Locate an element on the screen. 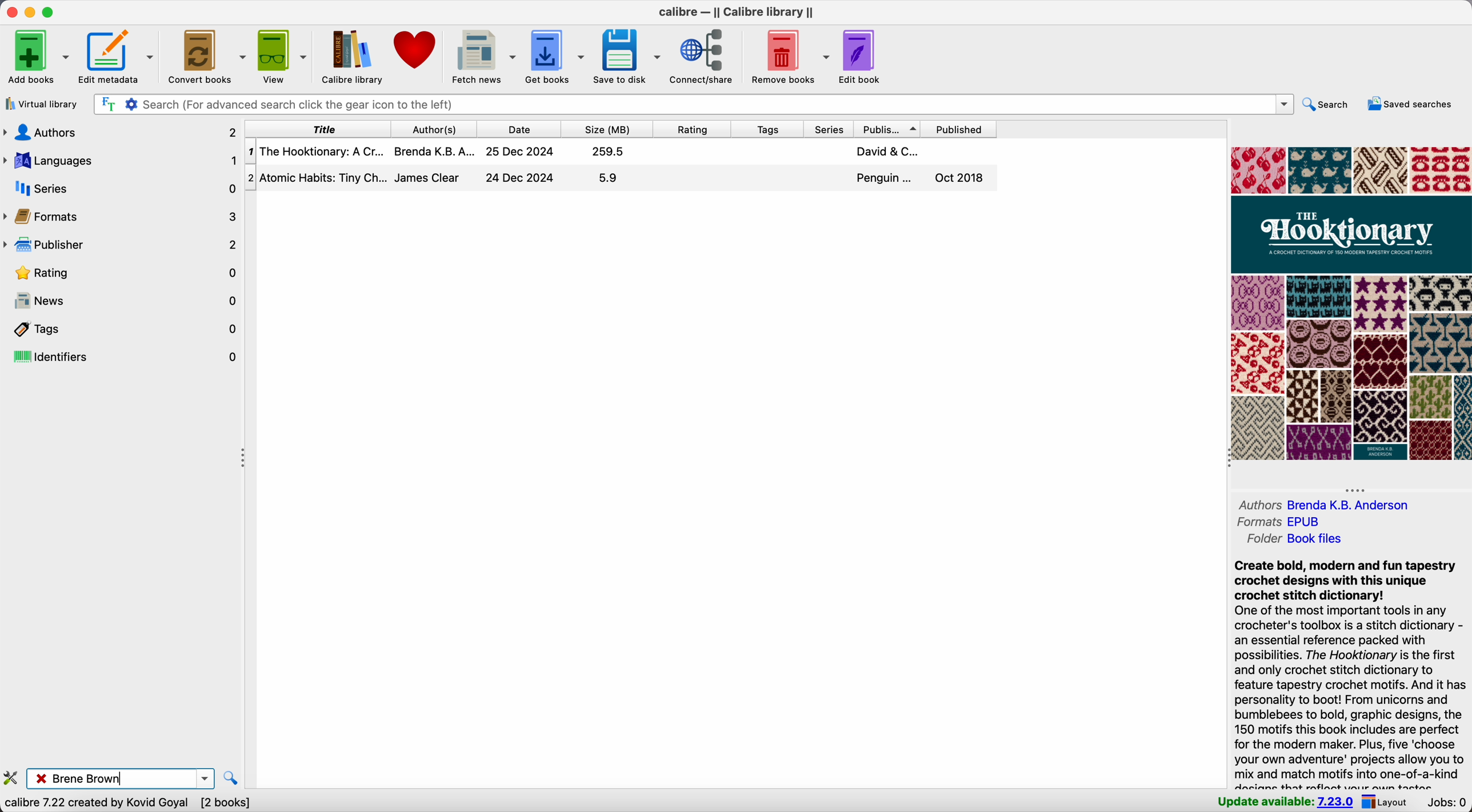 This screenshot has height=812, width=1472. data is located at coordinates (133, 805).